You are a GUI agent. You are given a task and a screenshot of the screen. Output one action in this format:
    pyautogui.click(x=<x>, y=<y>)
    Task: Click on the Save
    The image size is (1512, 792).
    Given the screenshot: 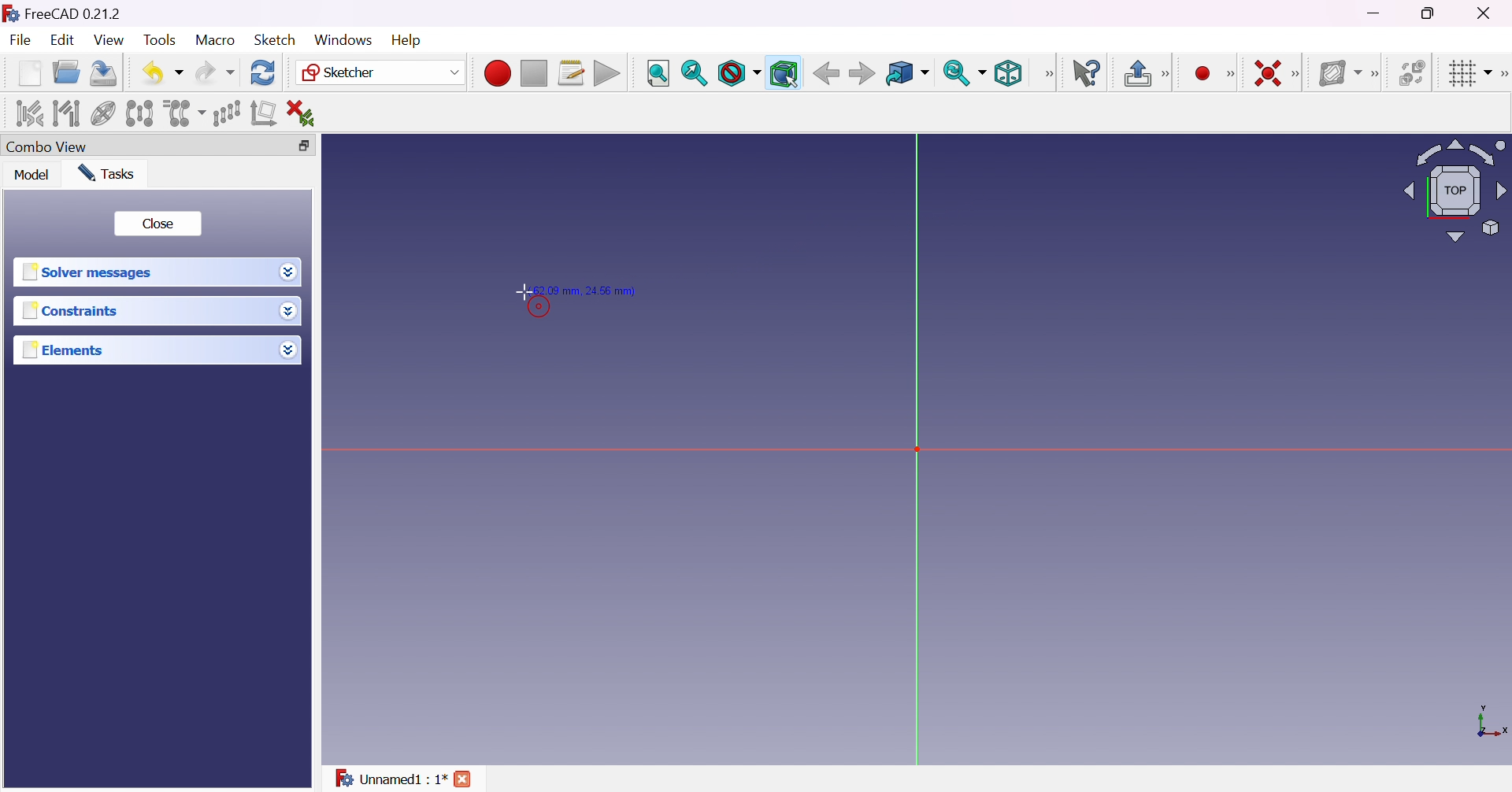 What is the action you would take?
    pyautogui.click(x=101, y=72)
    